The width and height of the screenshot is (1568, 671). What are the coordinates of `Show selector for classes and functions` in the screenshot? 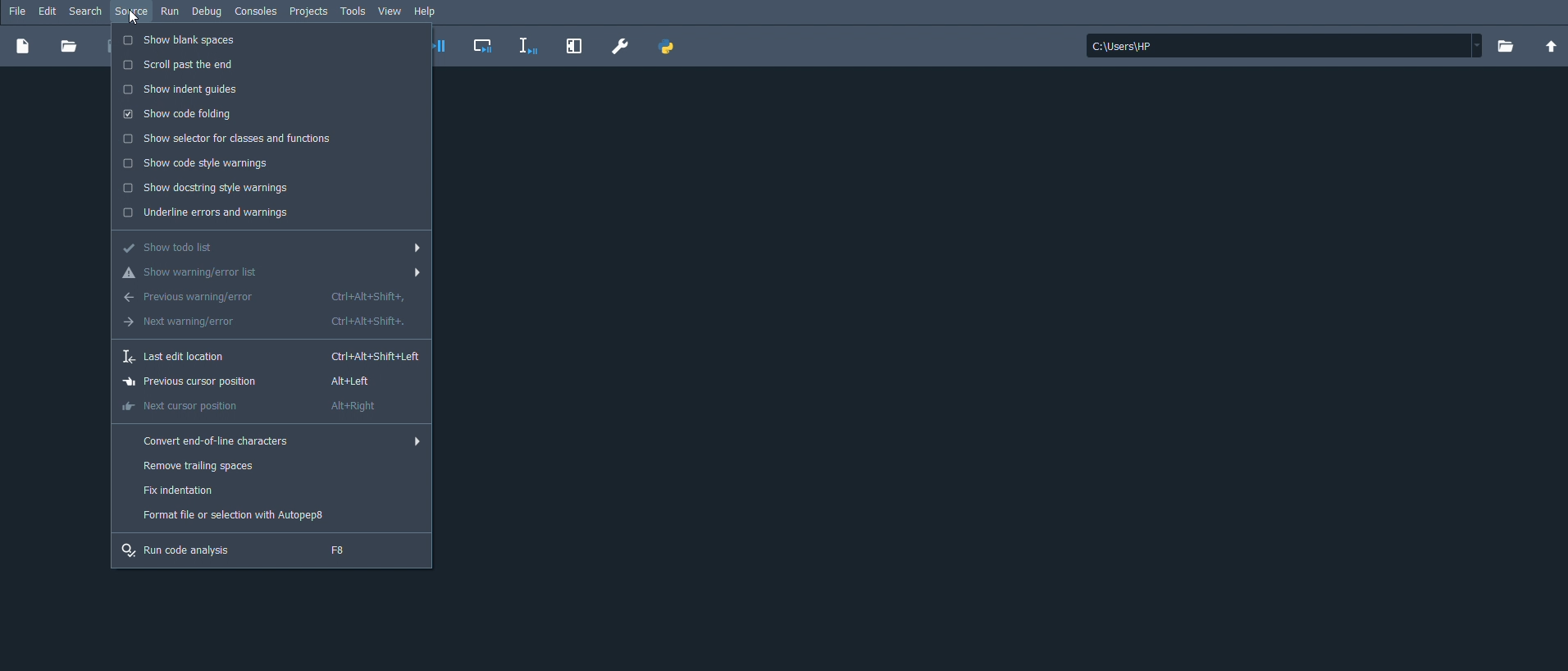 It's located at (230, 140).